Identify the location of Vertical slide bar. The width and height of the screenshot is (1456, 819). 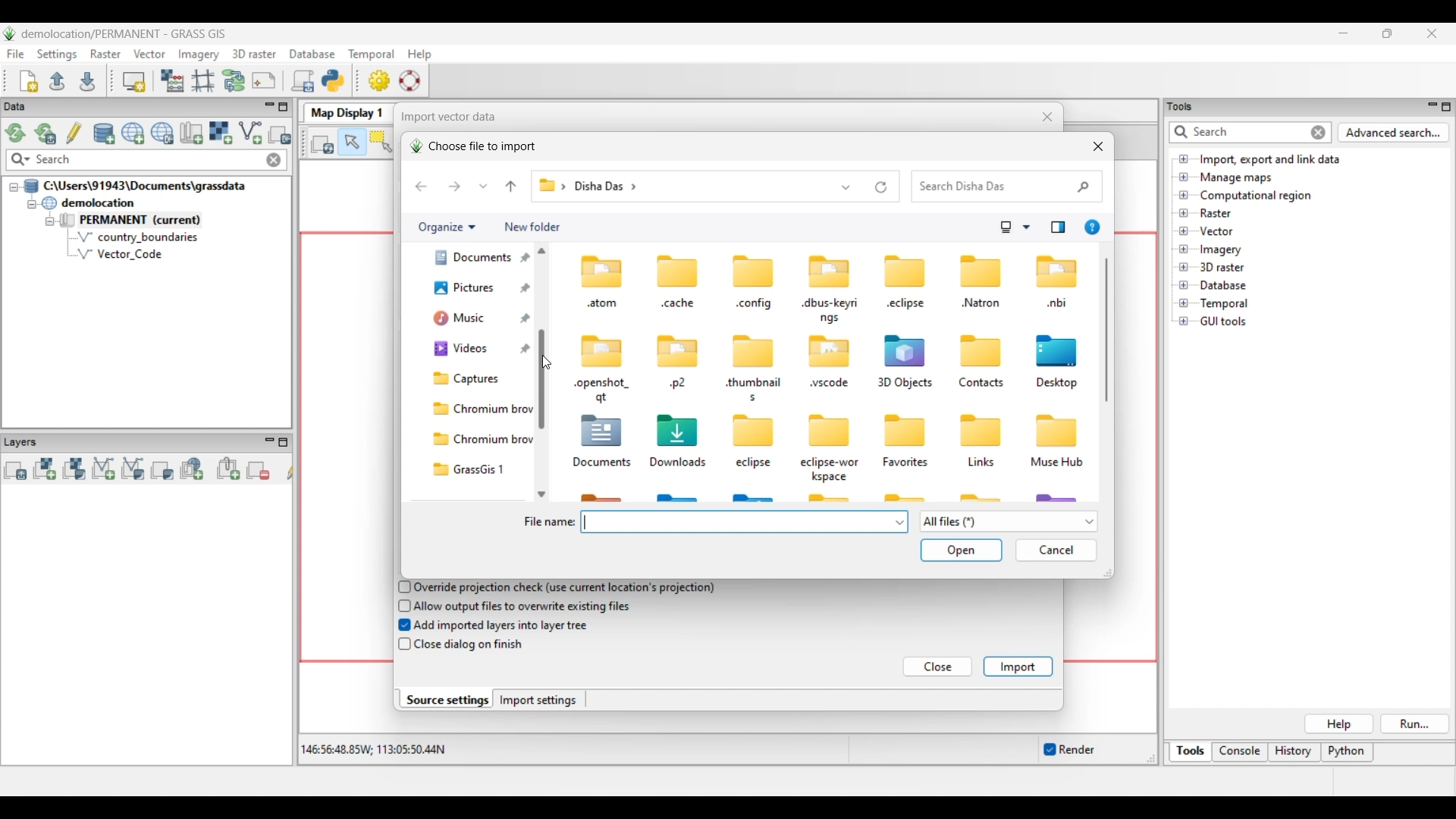
(545, 350).